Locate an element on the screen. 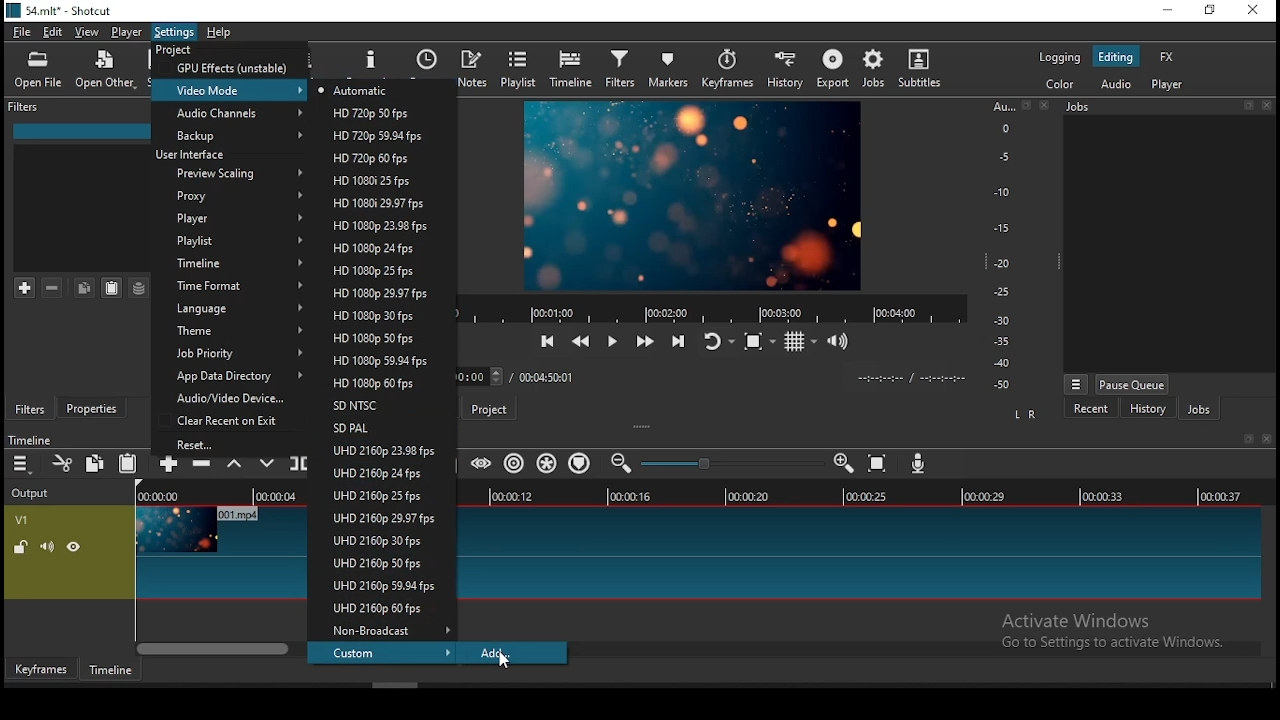 Image resolution: width=1280 pixels, height=720 pixels. append is located at coordinates (168, 467).